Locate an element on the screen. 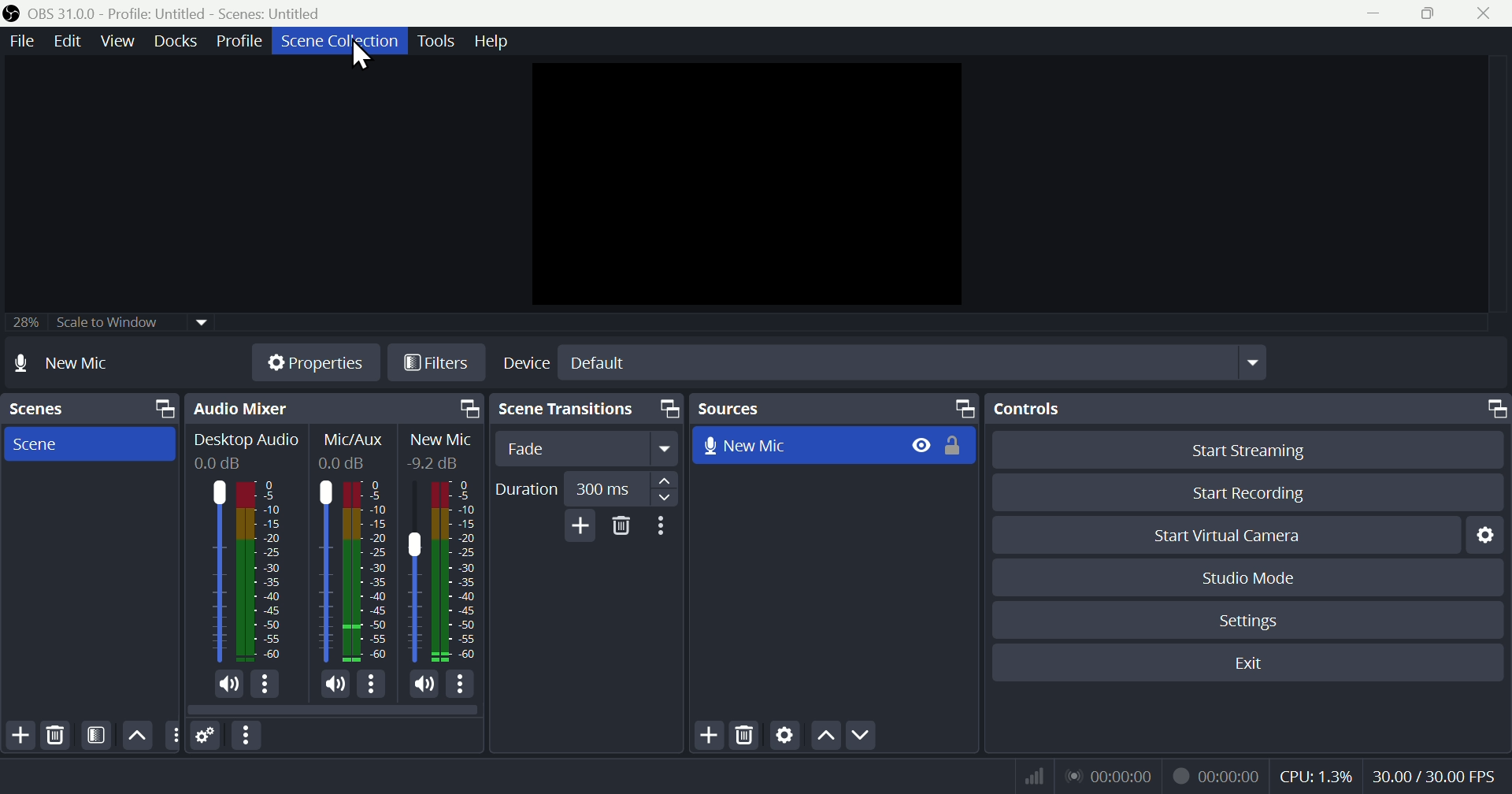 Image resolution: width=1512 pixels, height=794 pixels. Audio mixer is located at coordinates (336, 407).